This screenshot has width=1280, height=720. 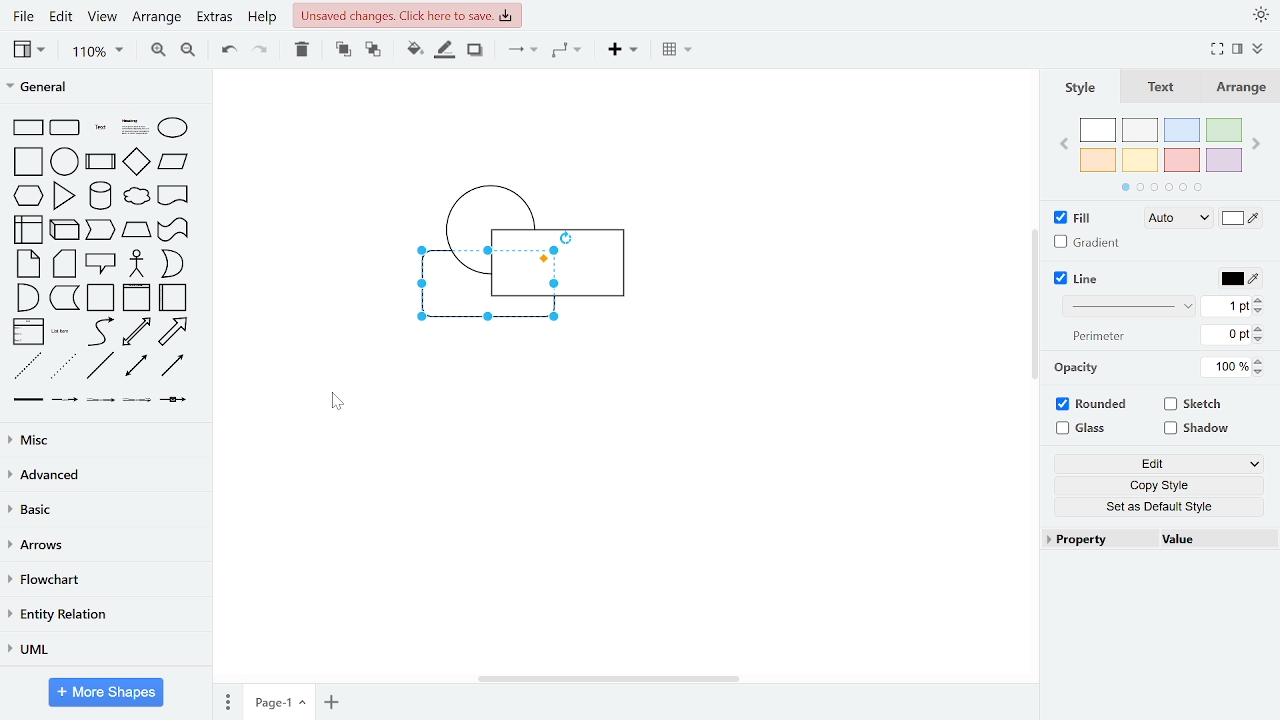 What do you see at coordinates (61, 16) in the screenshot?
I see `edit` at bounding box center [61, 16].